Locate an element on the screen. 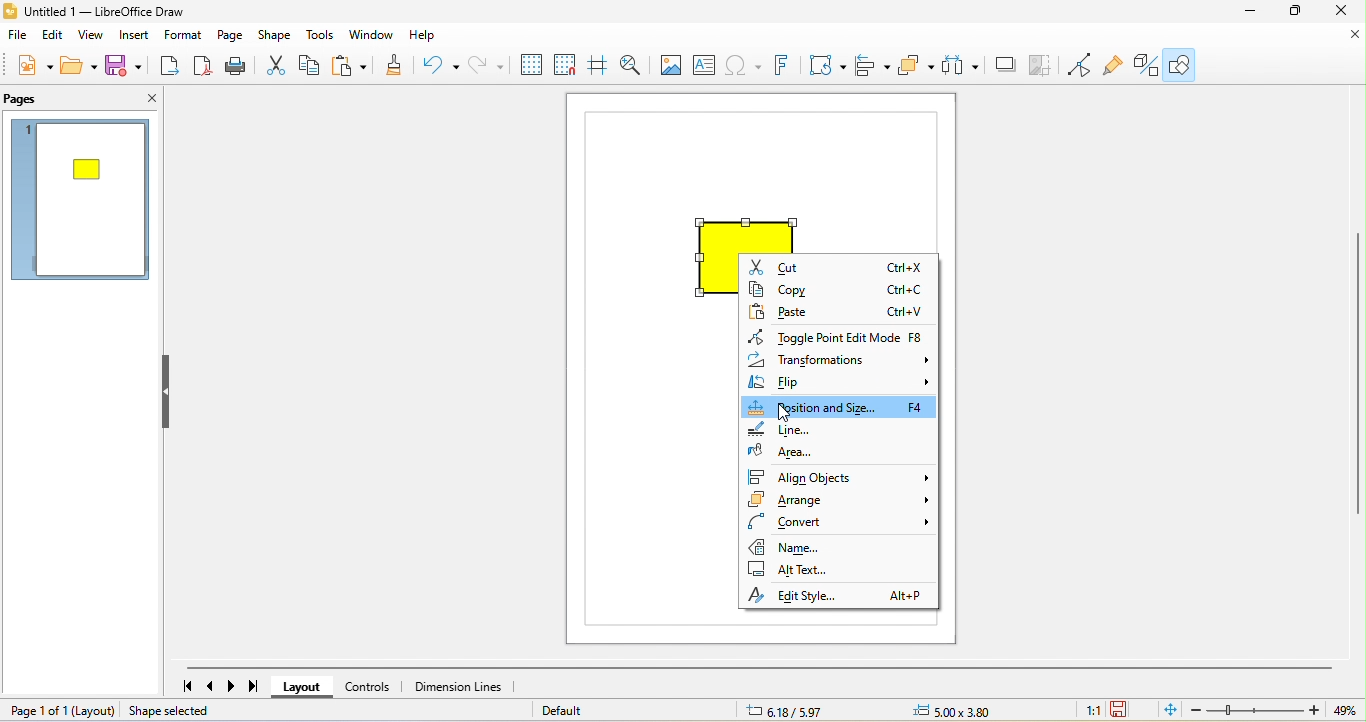 The width and height of the screenshot is (1366, 722). view is located at coordinates (93, 35).